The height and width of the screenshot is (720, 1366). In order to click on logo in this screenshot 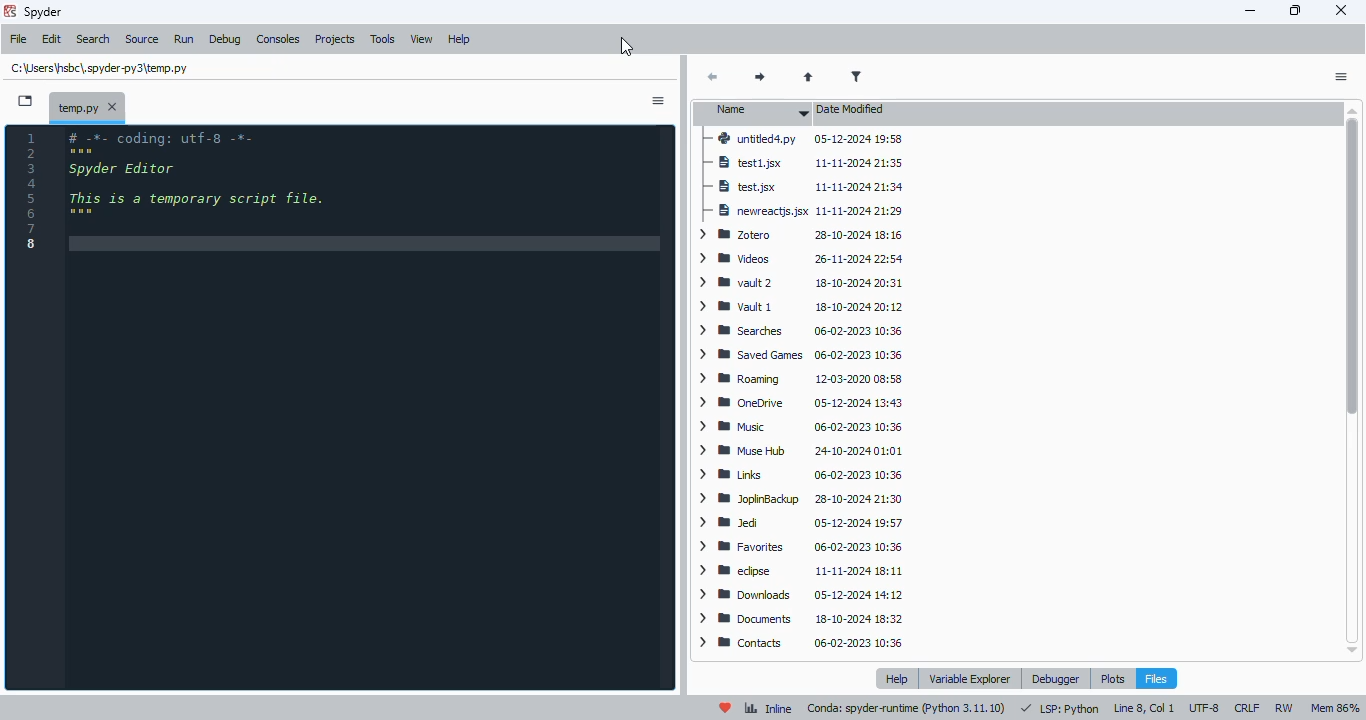, I will do `click(9, 11)`.